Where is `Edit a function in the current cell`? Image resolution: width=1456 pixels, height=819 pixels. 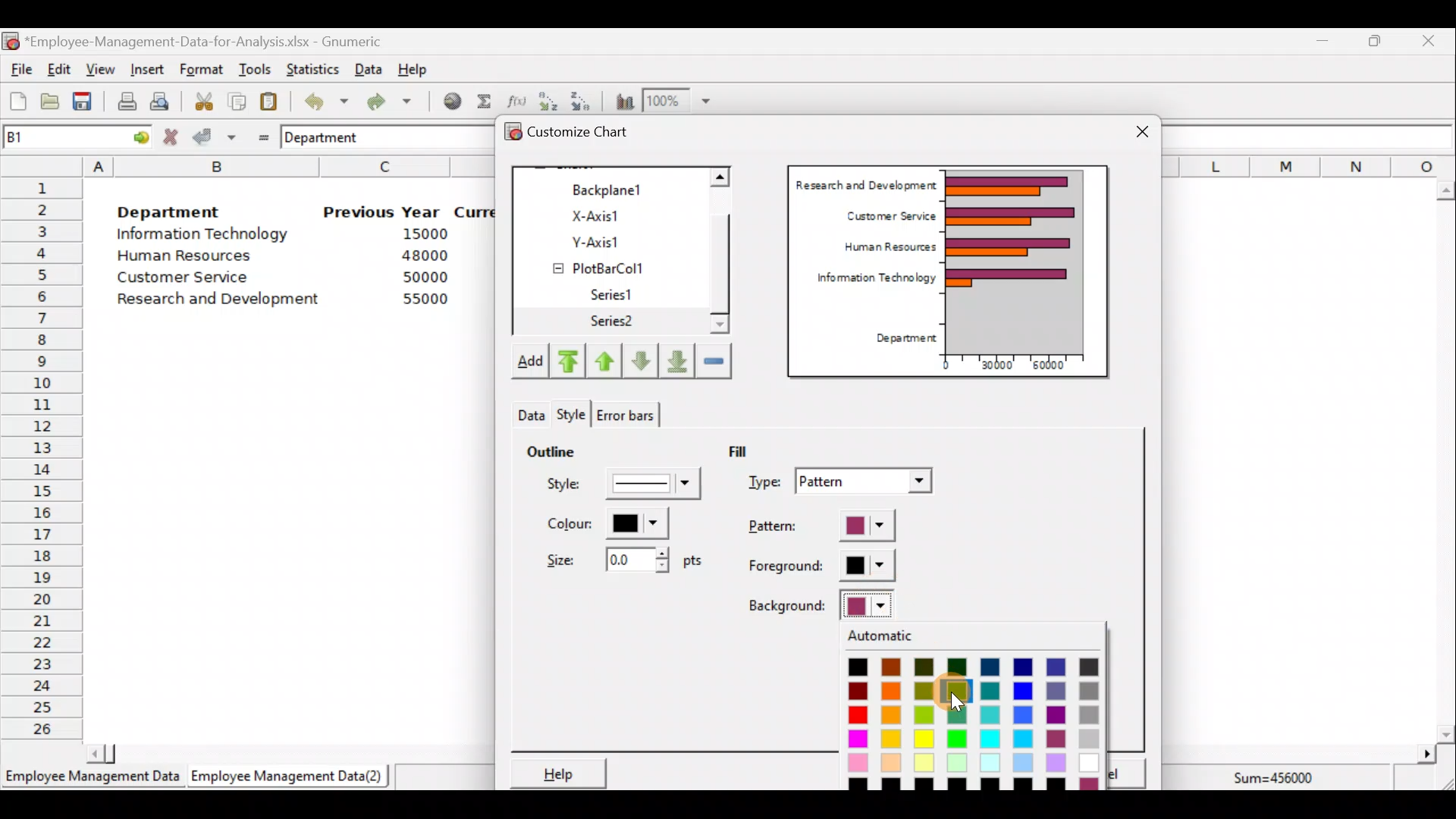 Edit a function in the current cell is located at coordinates (516, 100).